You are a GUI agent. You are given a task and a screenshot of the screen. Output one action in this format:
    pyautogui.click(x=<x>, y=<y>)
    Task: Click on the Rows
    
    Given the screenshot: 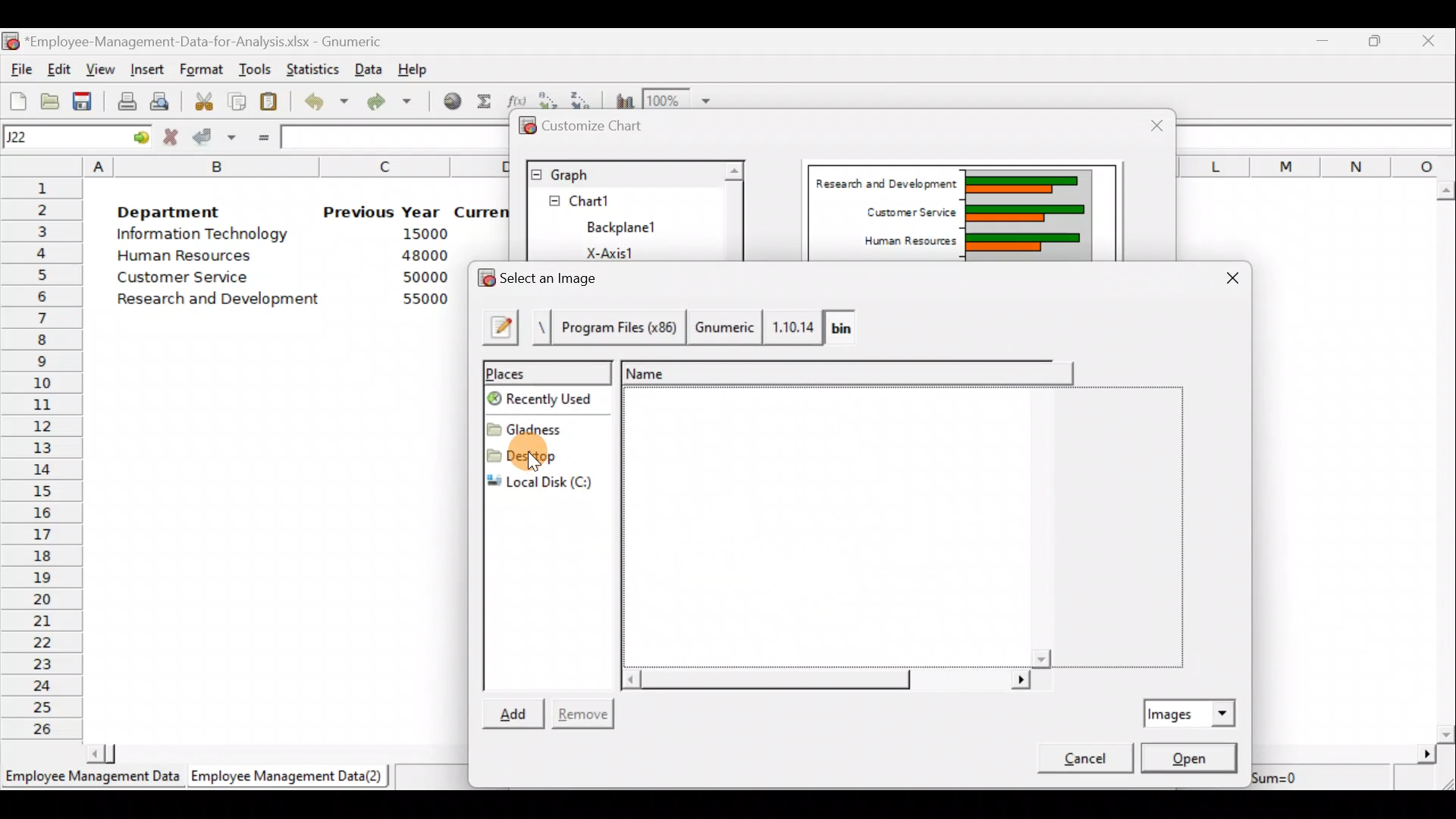 What is the action you would take?
    pyautogui.click(x=42, y=460)
    